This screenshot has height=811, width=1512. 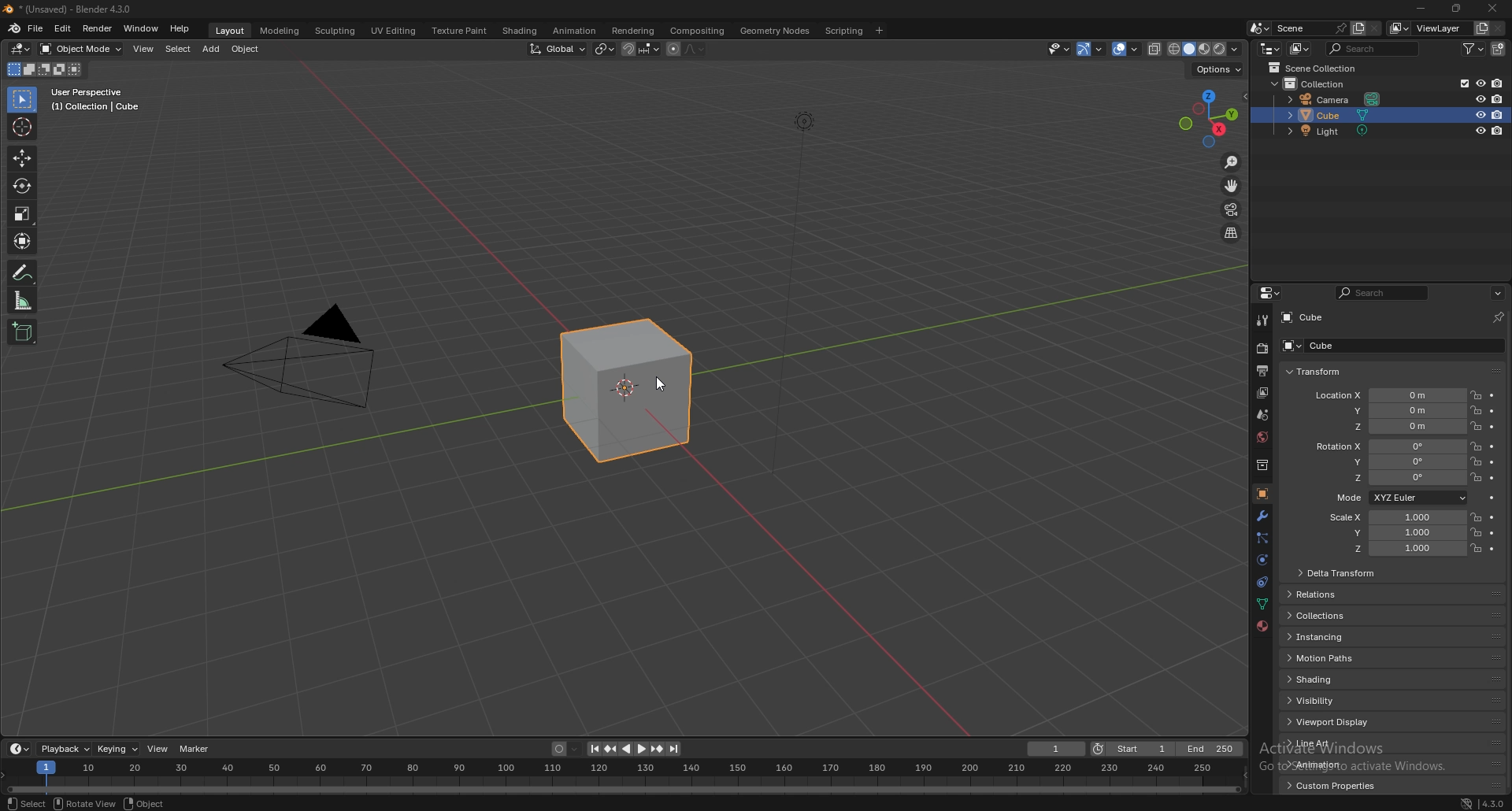 What do you see at coordinates (1262, 561) in the screenshot?
I see `physics` at bounding box center [1262, 561].